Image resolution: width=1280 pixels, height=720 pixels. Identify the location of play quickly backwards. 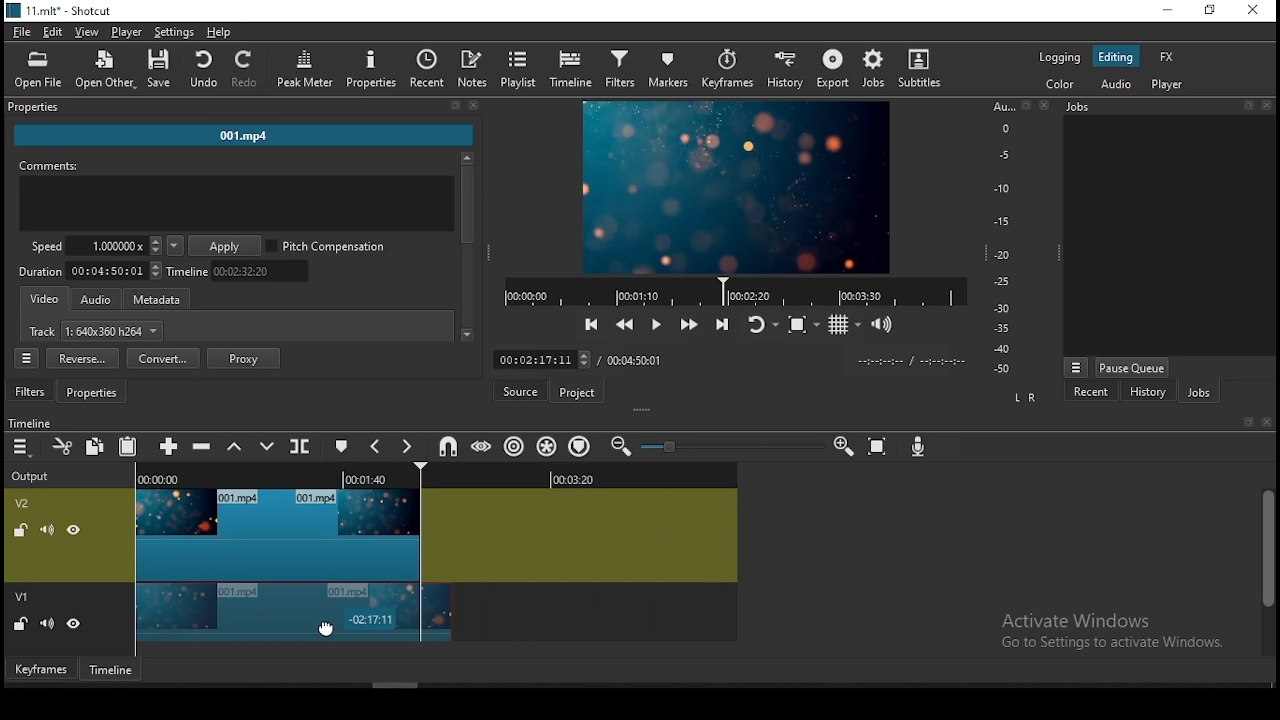
(625, 324).